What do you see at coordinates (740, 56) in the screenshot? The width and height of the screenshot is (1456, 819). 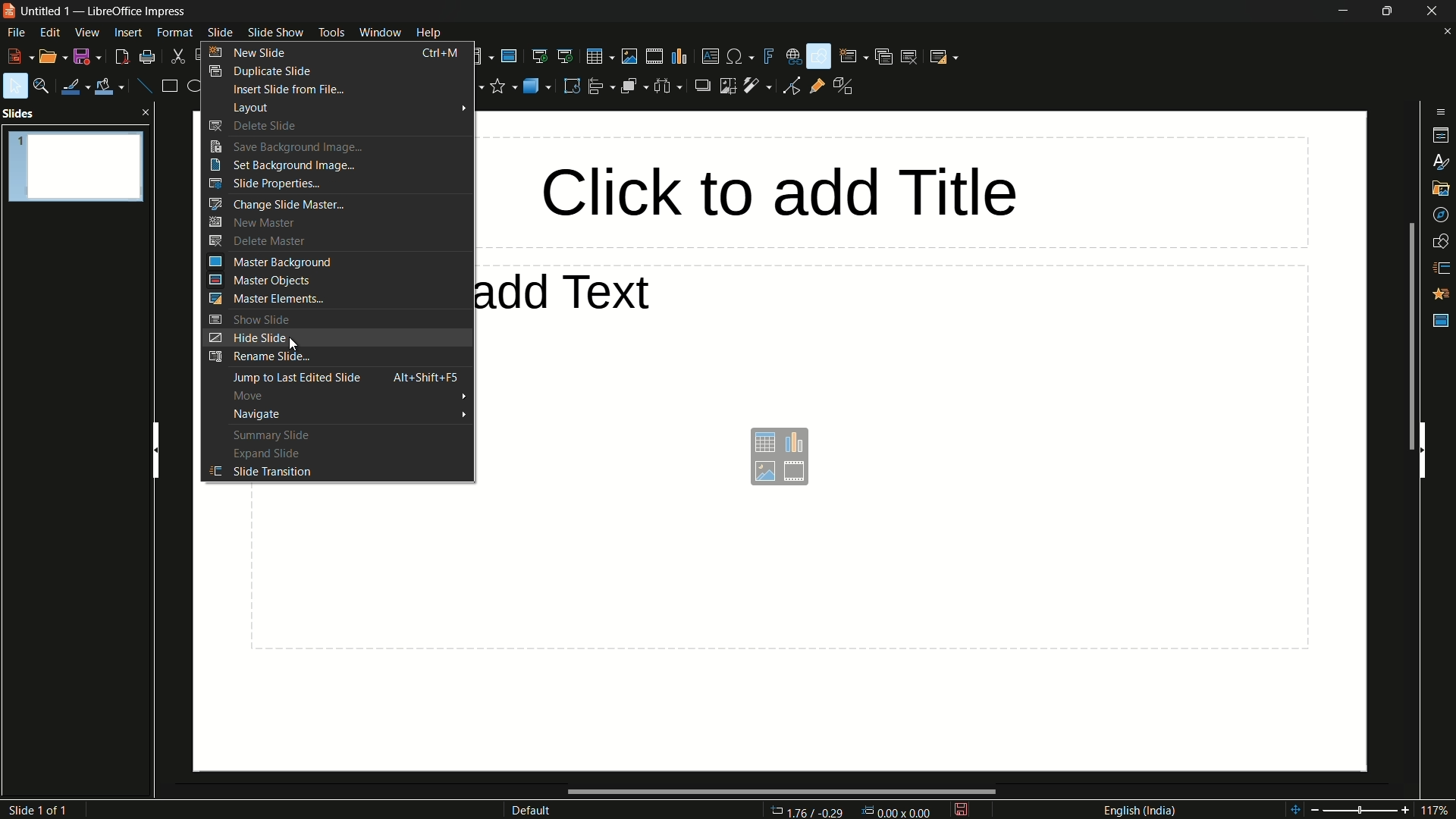 I see `insert special characters` at bounding box center [740, 56].